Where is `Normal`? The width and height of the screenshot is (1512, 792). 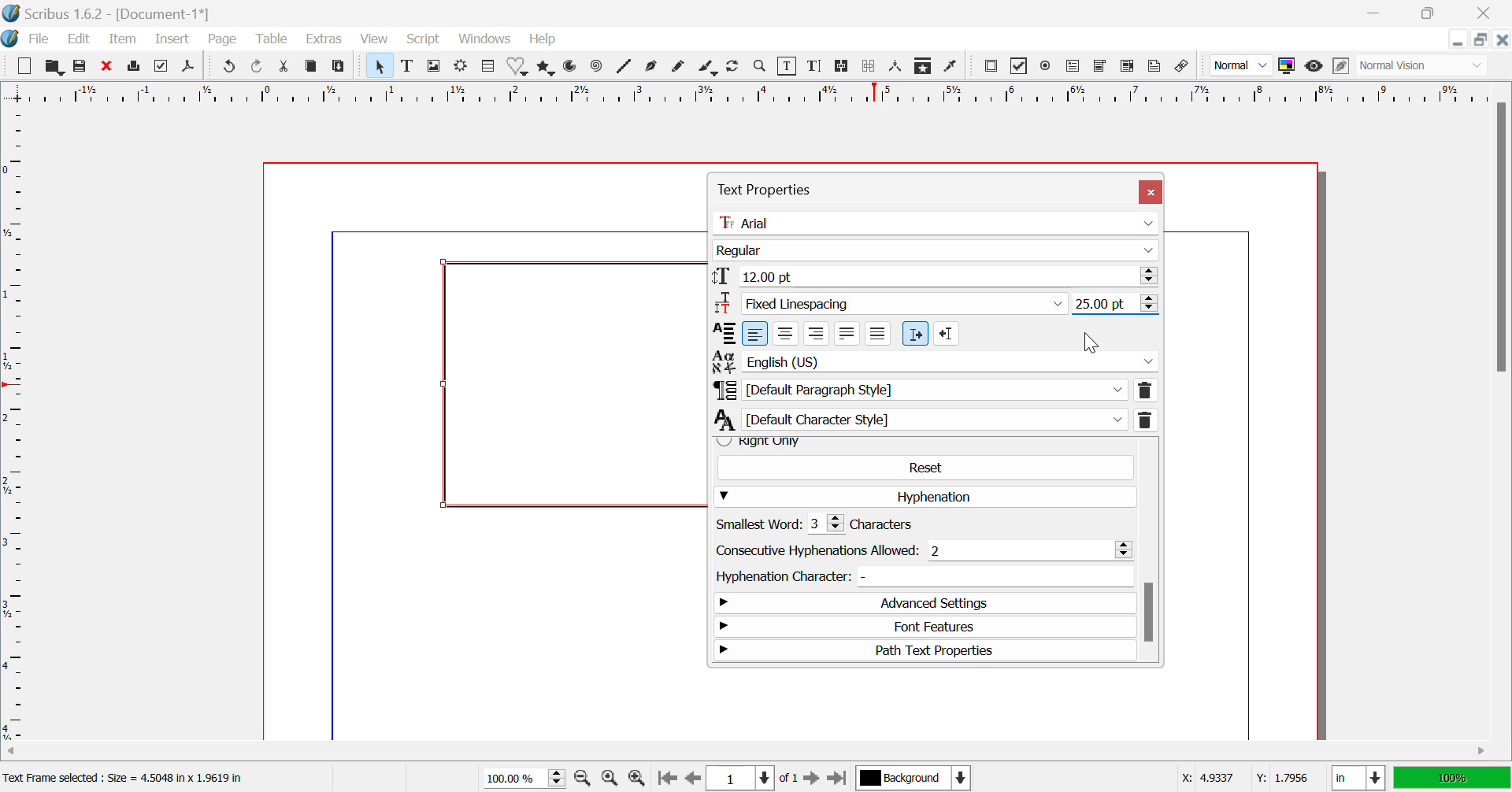
Normal is located at coordinates (1241, 68).